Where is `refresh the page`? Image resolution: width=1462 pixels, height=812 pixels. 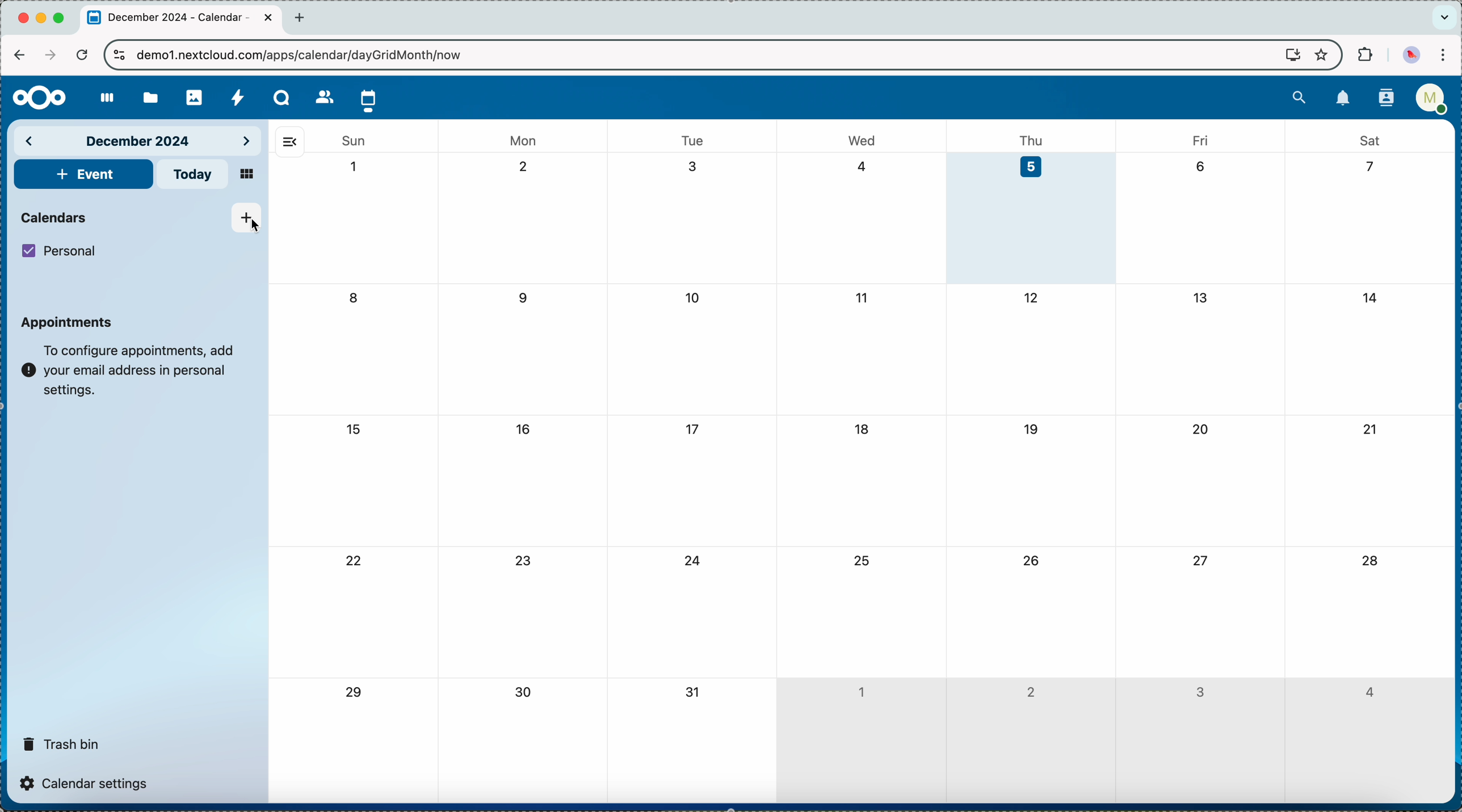
refresh the page is located at coordinates (81, 54).